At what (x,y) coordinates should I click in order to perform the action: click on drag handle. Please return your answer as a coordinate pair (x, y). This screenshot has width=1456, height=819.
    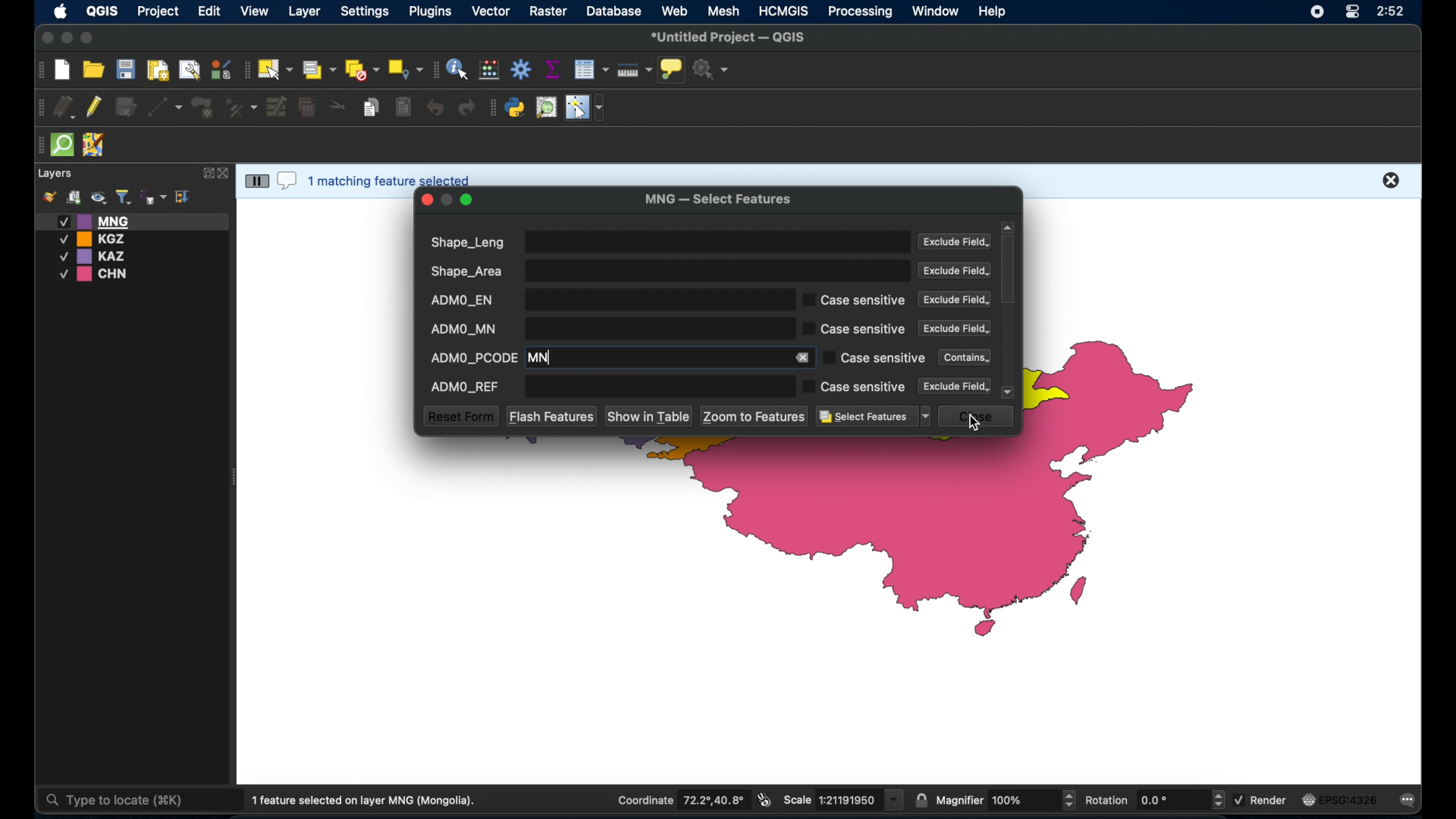
    Looking at the image, I should click on (39, 106).